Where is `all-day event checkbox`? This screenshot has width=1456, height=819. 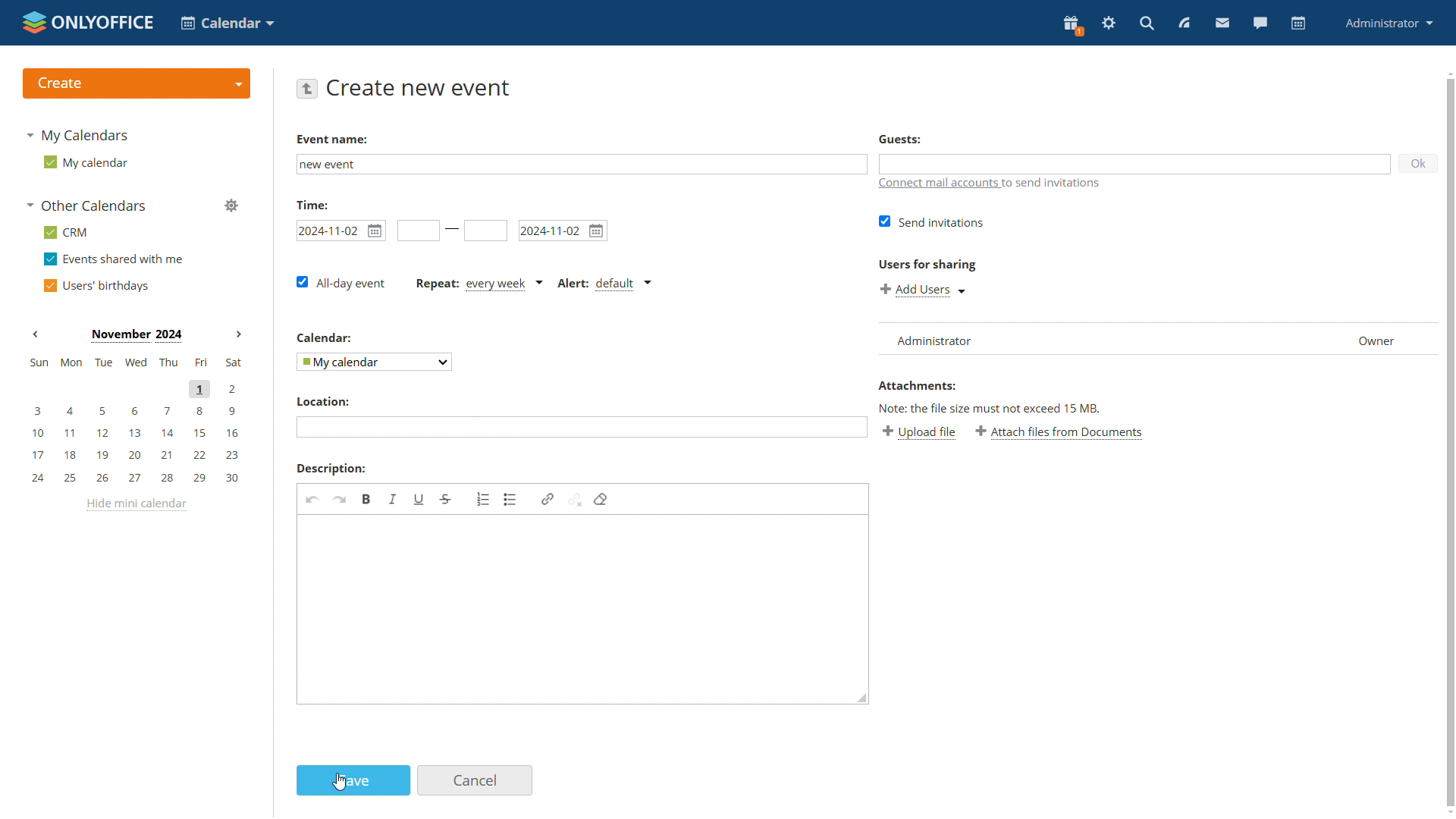
all-day event checkbox is located at coordinates (343, 283).